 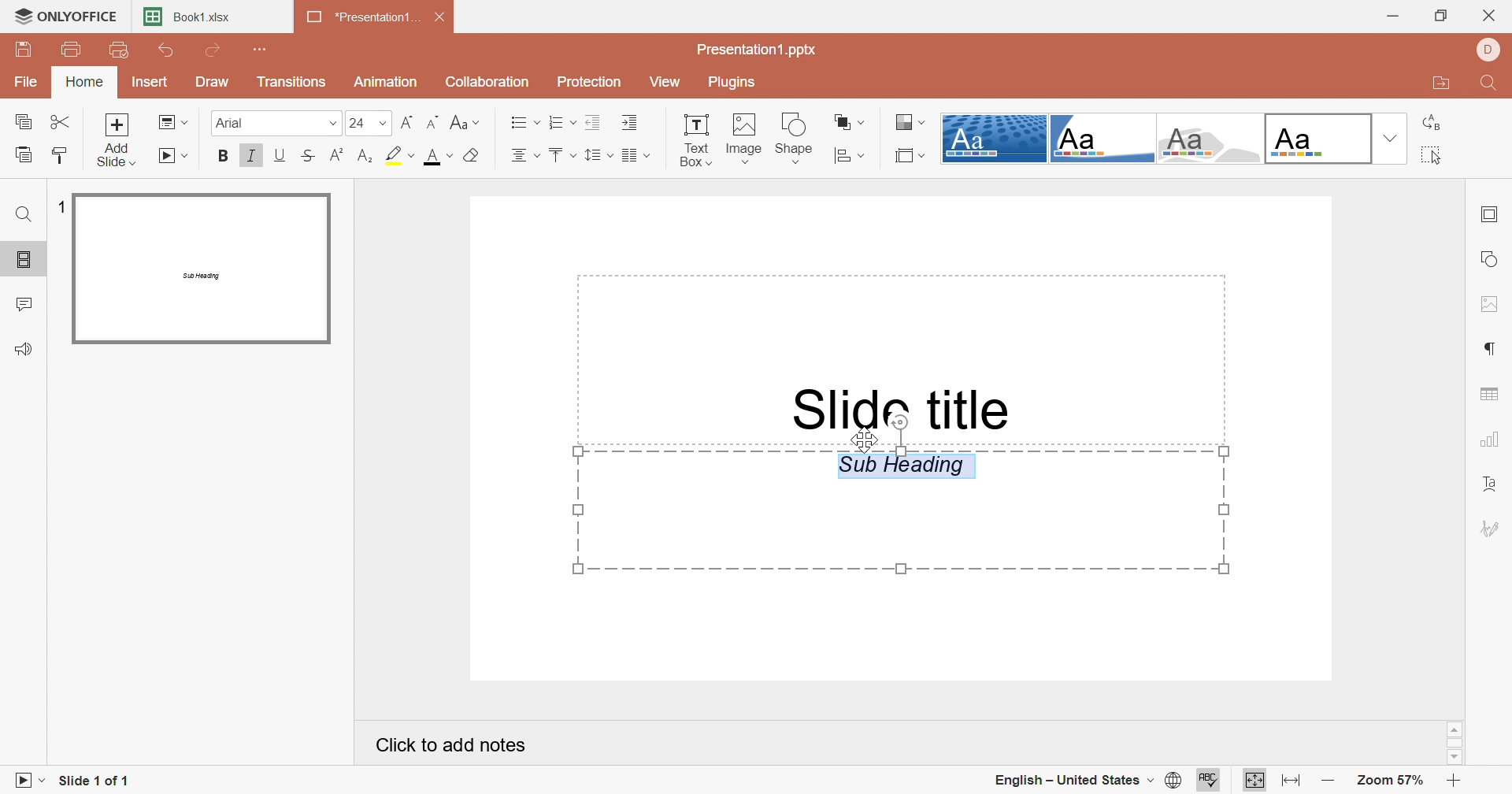 I want to click on Line spacing, so click(x=599, y=153).